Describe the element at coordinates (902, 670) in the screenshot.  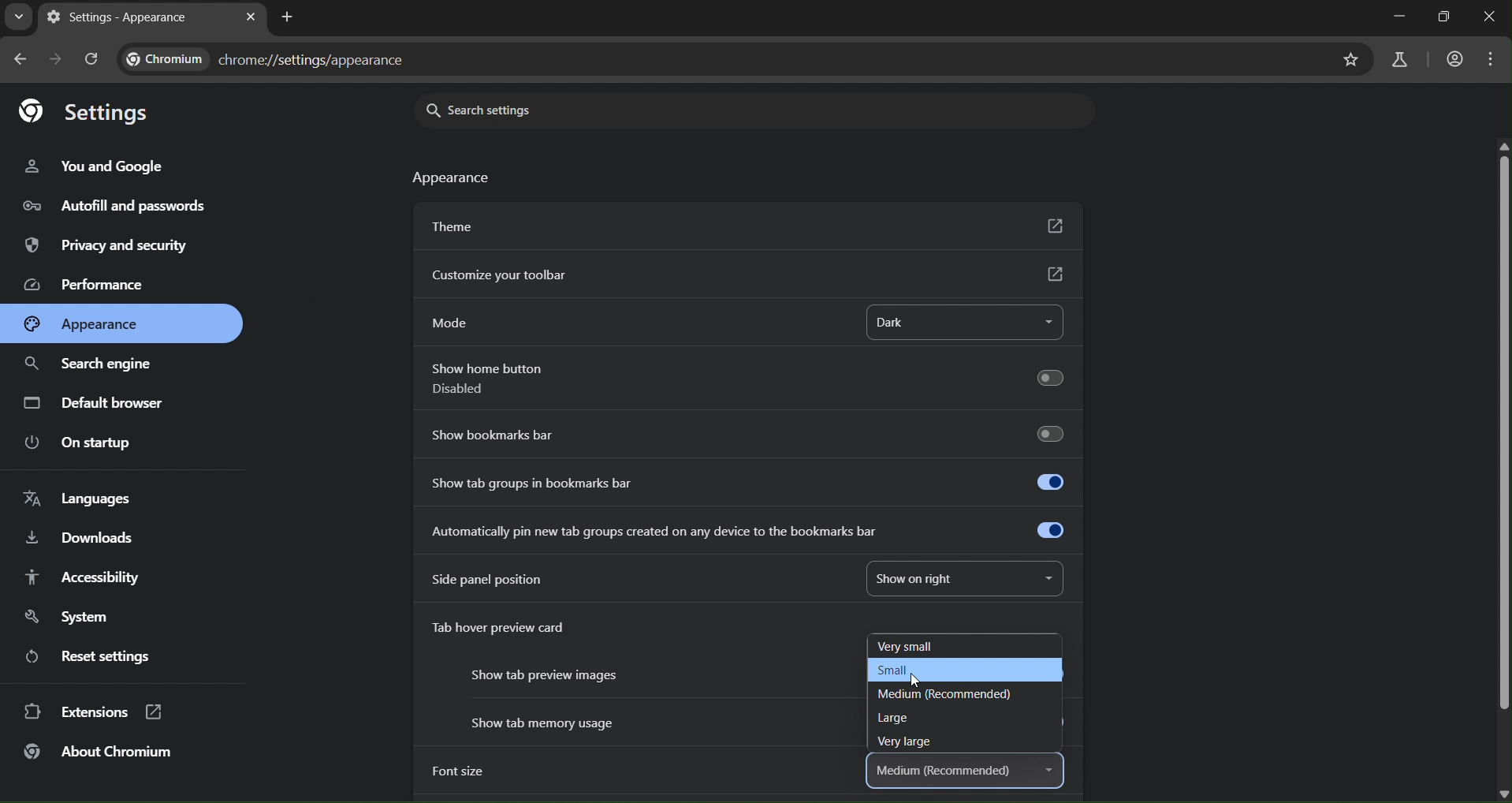
I see `small` at that location.